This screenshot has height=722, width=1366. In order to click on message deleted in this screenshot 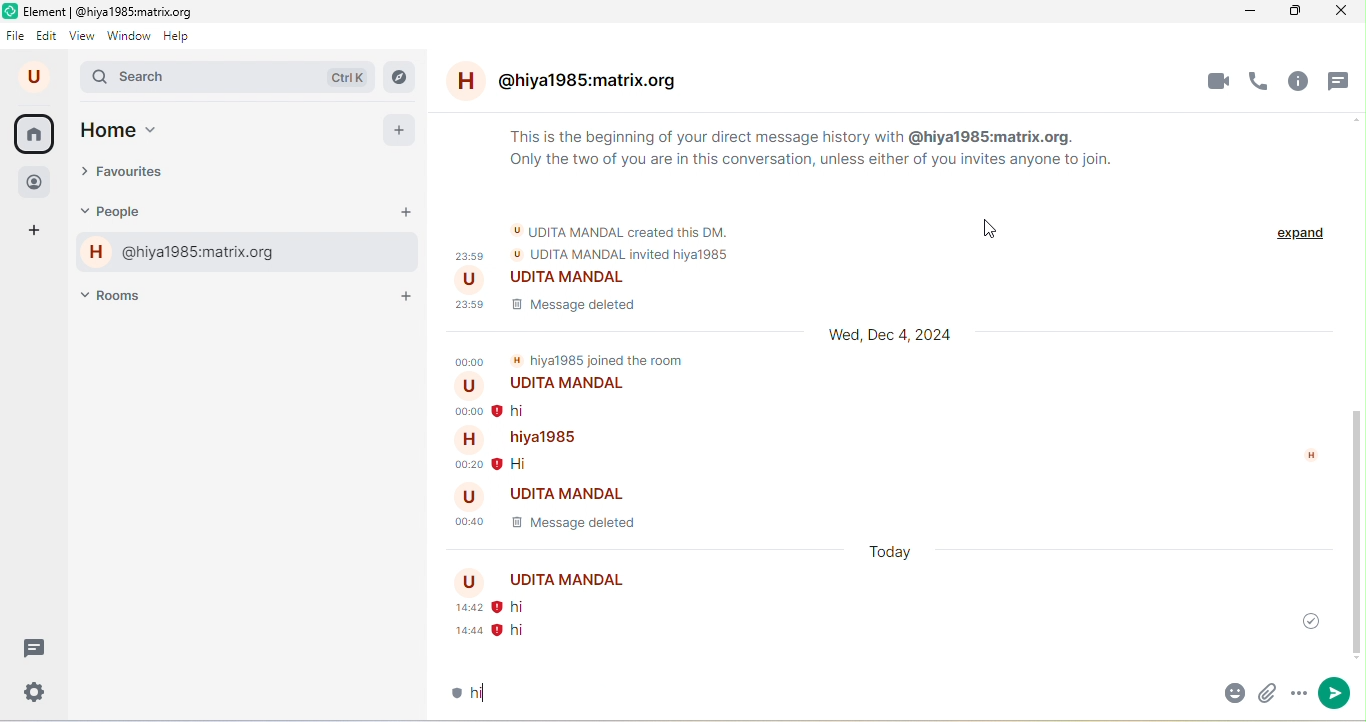, I will do `click(573, 310)`.